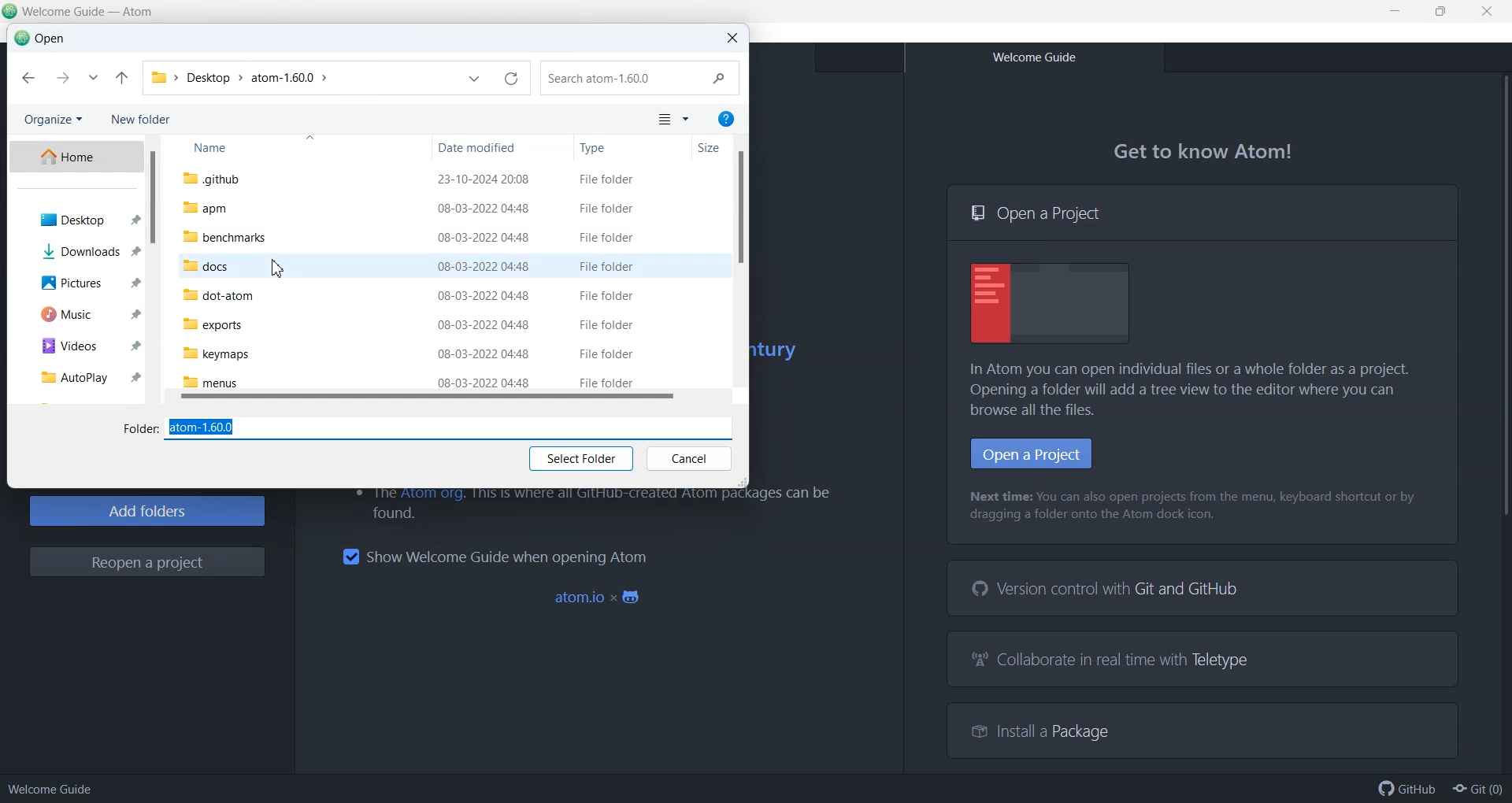 This screenshot has width=1512, height=803. Describe the element at coordinates (606, 325) in the screenshot. I see `File Folder` at that location.